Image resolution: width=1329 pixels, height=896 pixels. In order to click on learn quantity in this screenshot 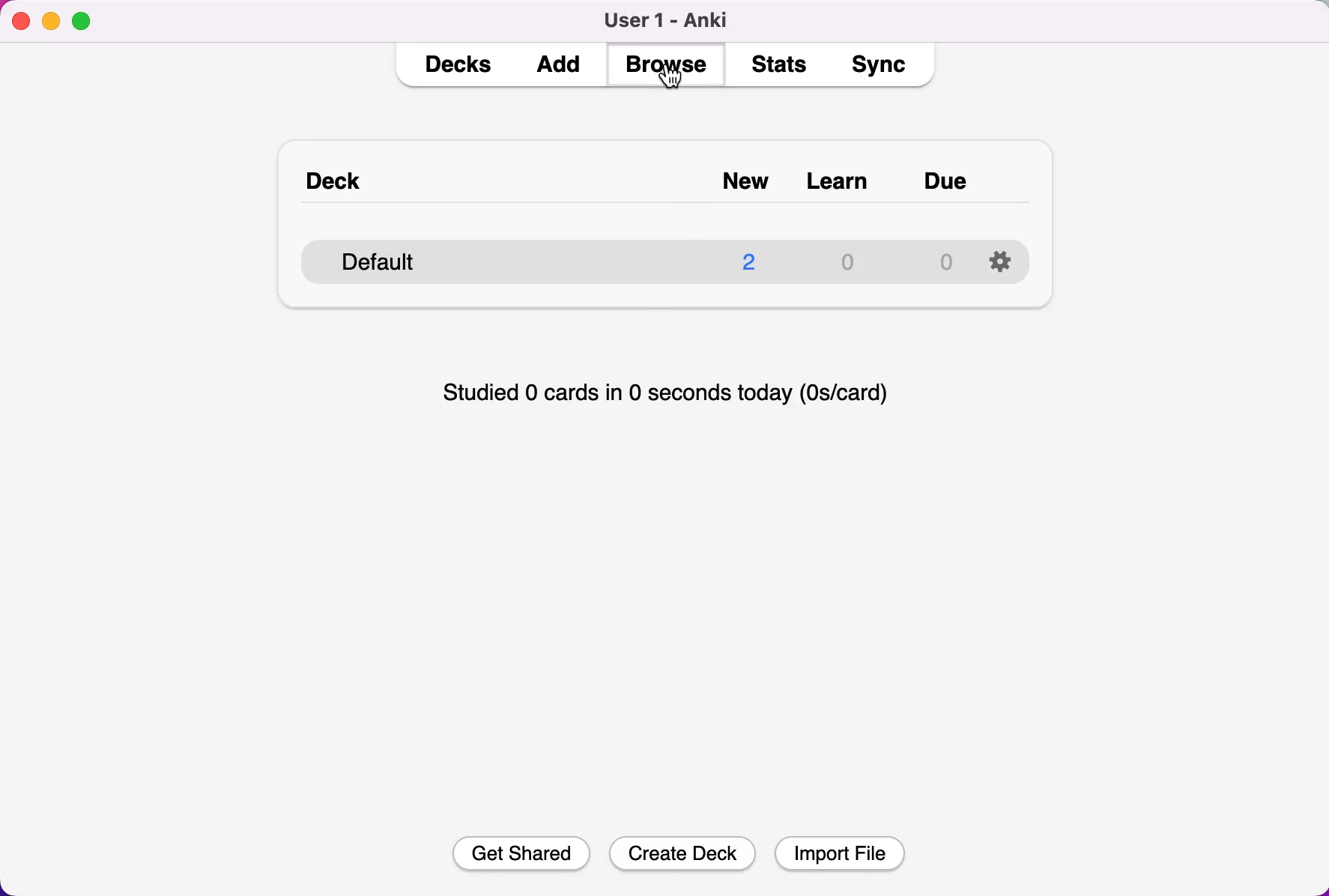, I will do `click(853, 261)`.